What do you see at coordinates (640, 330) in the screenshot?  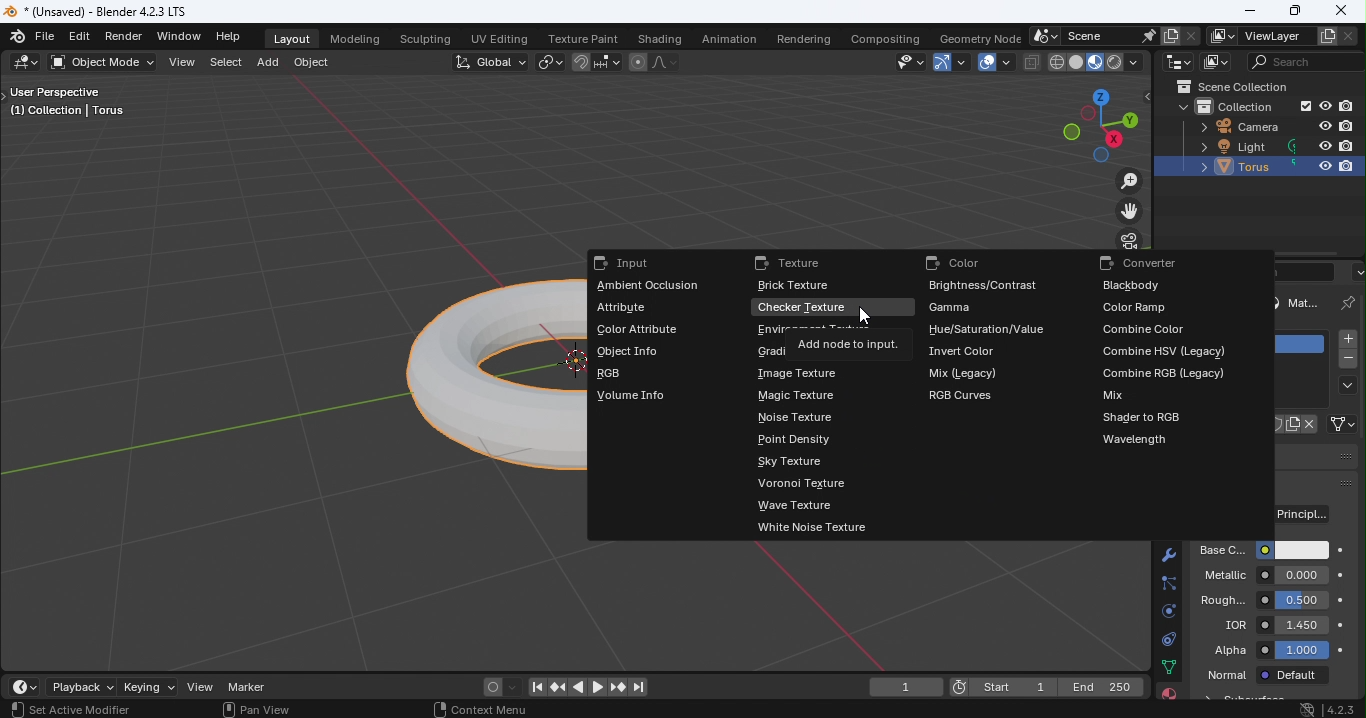 I see `Color attribute` at bounding box center [640, 330].